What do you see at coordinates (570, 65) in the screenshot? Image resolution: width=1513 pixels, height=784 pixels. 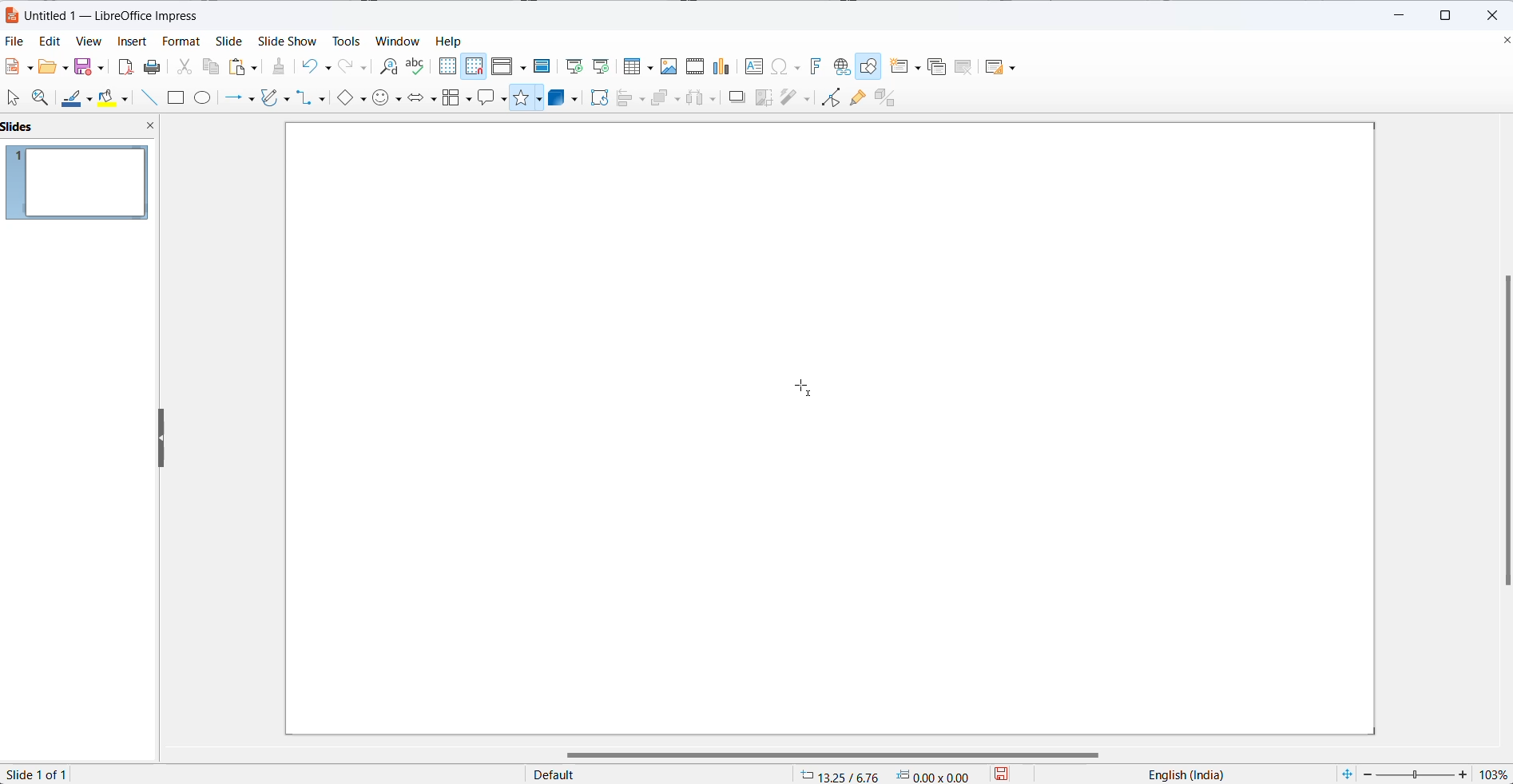 I see `start from first slide` at bounding box center [570, 65].